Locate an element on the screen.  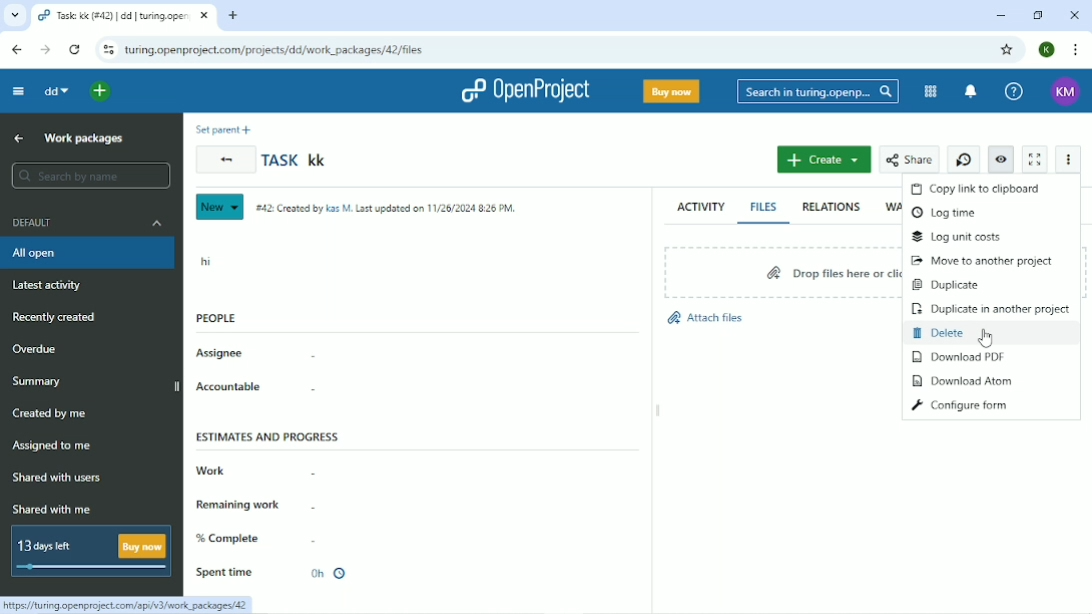
Assigned to me is located at coordinates (53, 448).